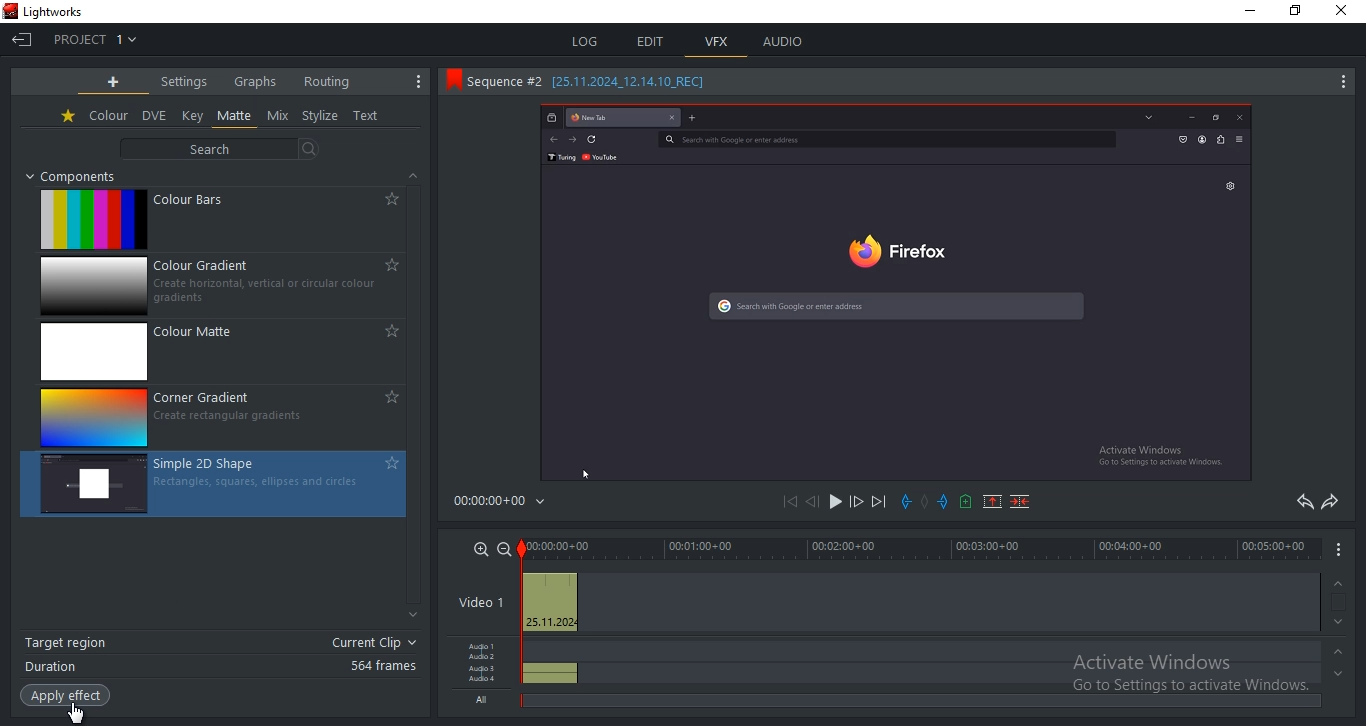 This screenshot has height=726, width=1366. Describe the element at coordinates (51, 12) in the screenshot. I see `app title` at that location.